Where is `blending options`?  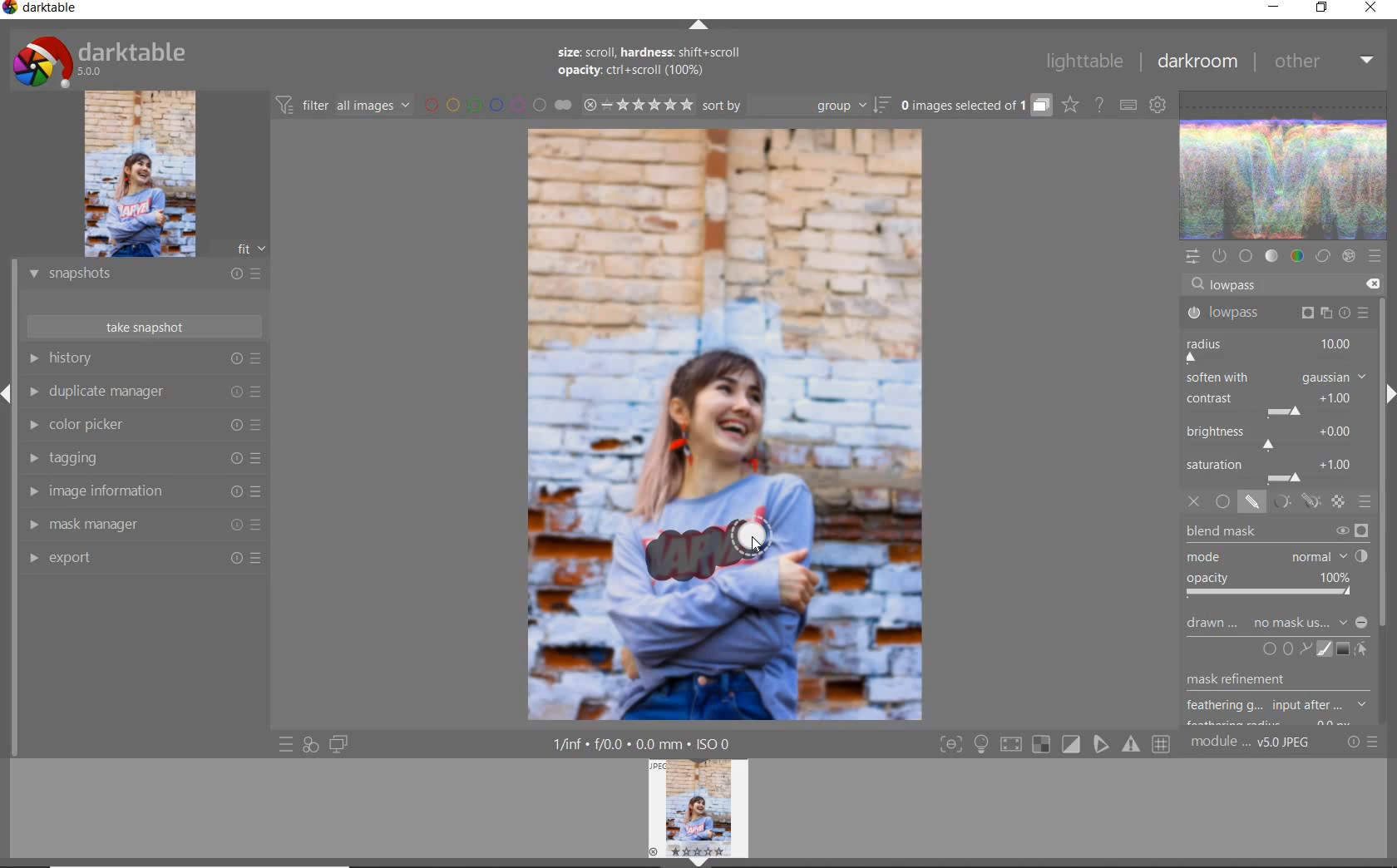
blending options is located at coordinates (1365, 501).